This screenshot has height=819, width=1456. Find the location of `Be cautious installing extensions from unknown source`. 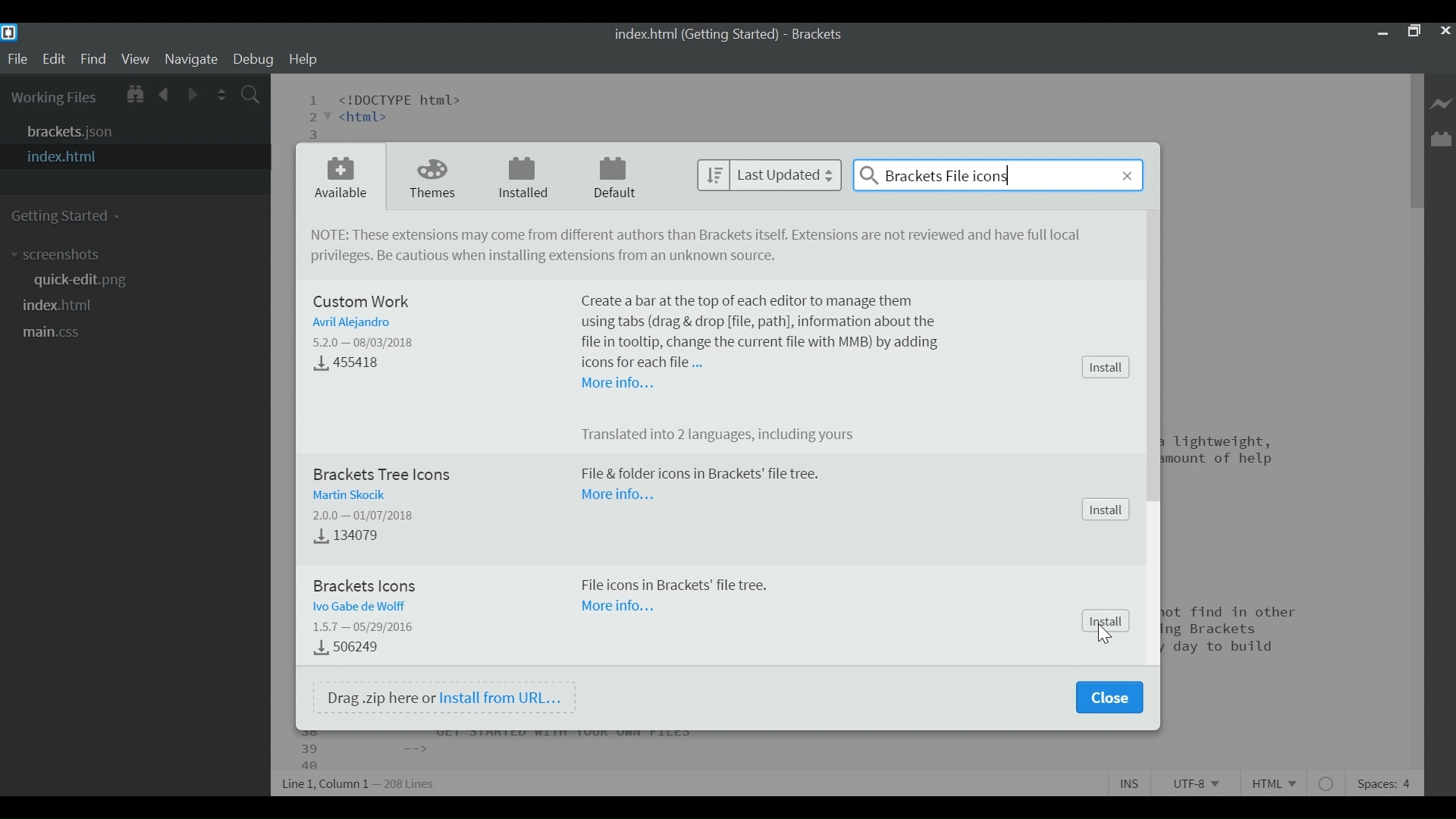

Be cautious installing extensions from unknown source is located at coordinates (542, 257).